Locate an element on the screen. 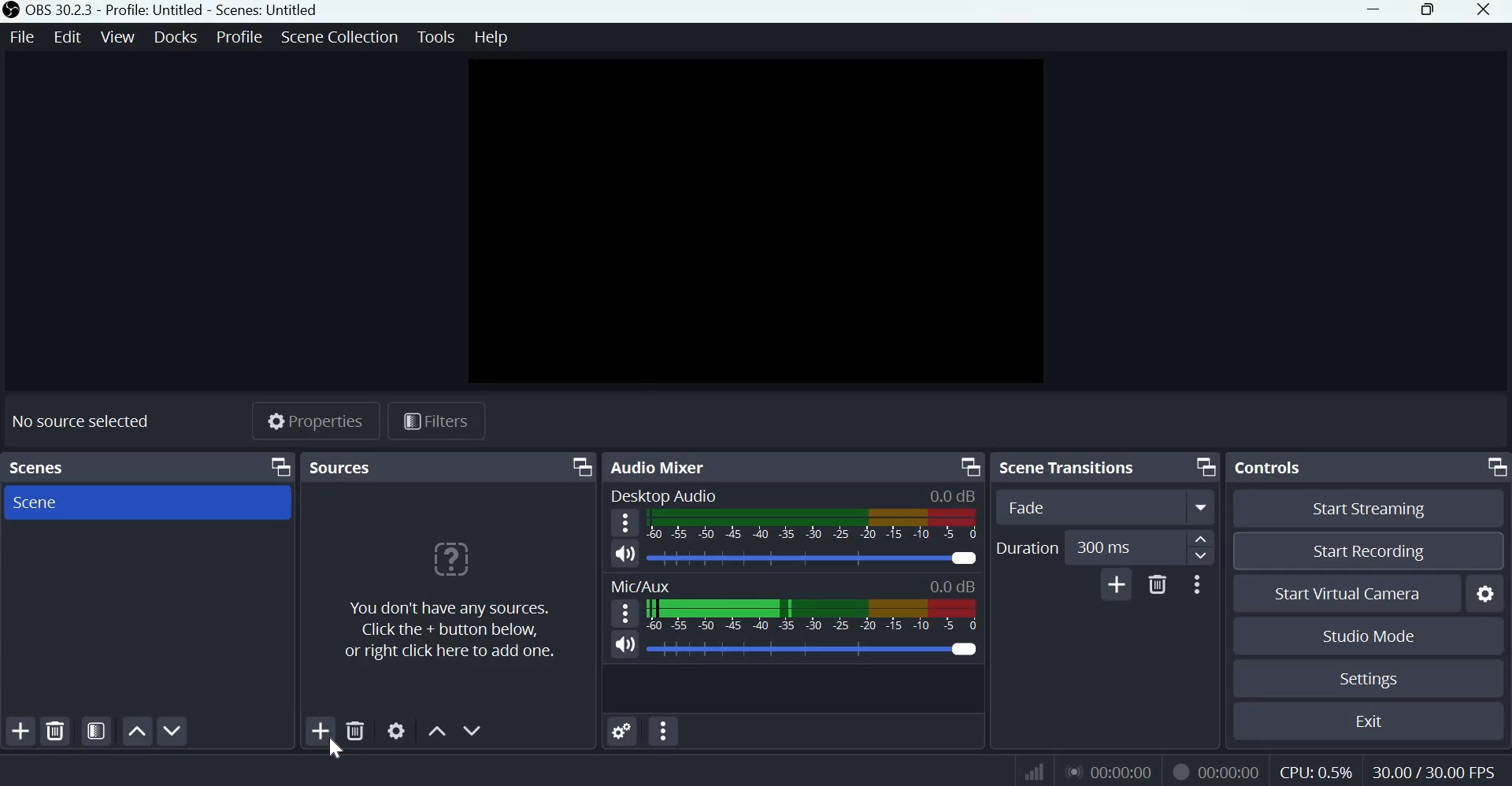  0.0 dB is located at coordinates (951, 495).